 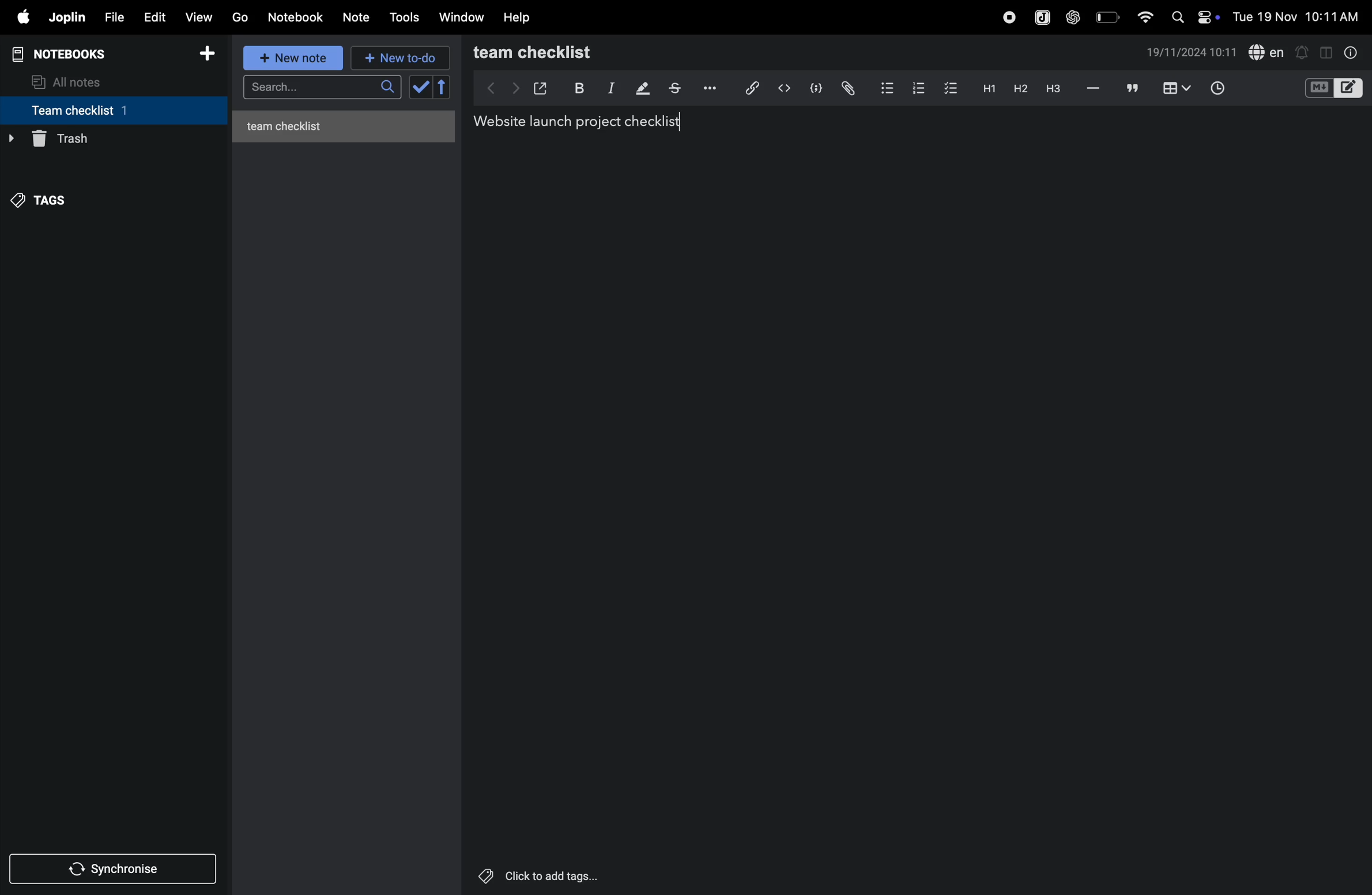 What do you see at coordinates (986, 88) in the screenshot?
I see `heading 2` at bounding box center [986, 88].